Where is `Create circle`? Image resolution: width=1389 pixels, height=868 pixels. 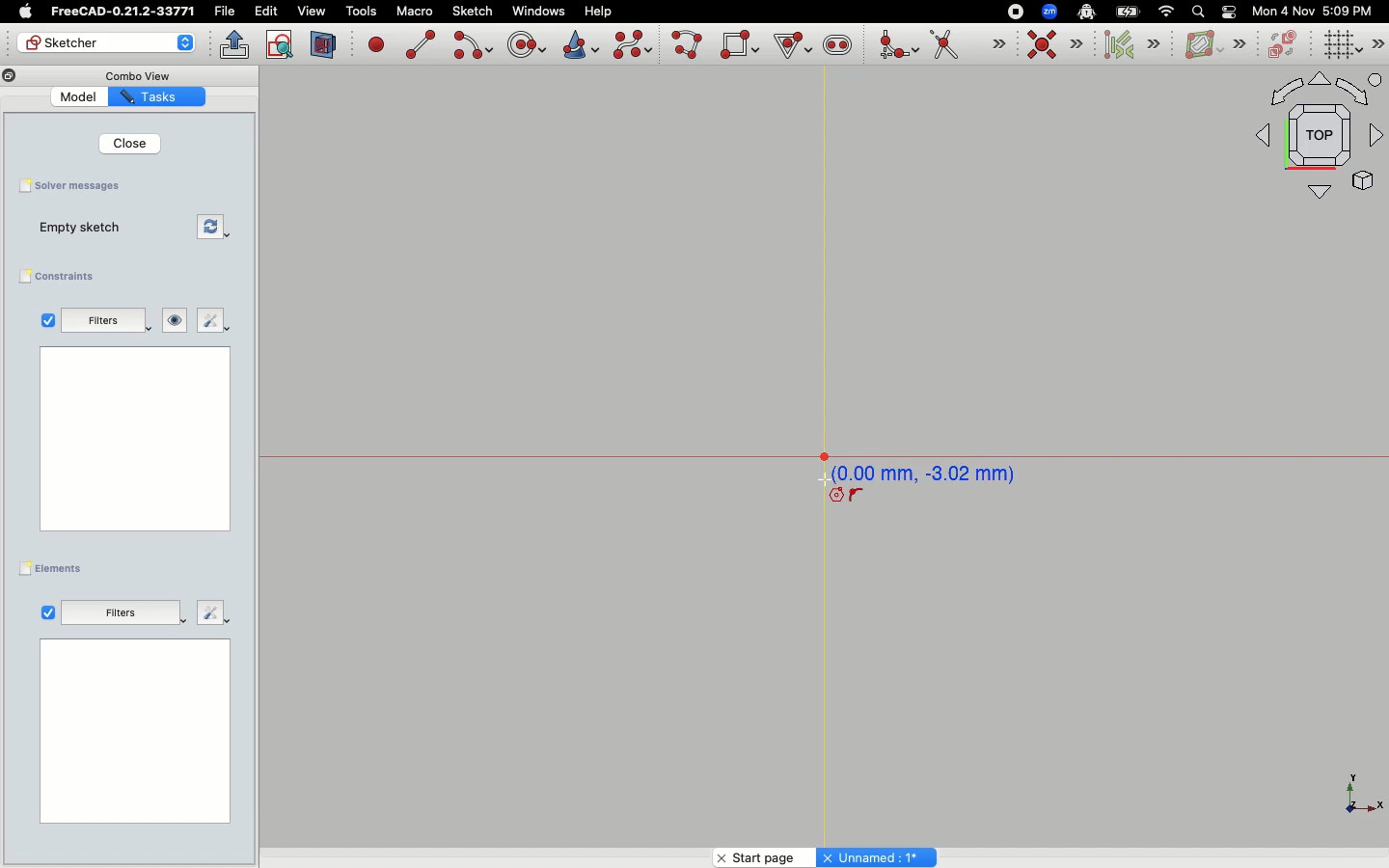
Create circle is located at coordinates (527, 42).